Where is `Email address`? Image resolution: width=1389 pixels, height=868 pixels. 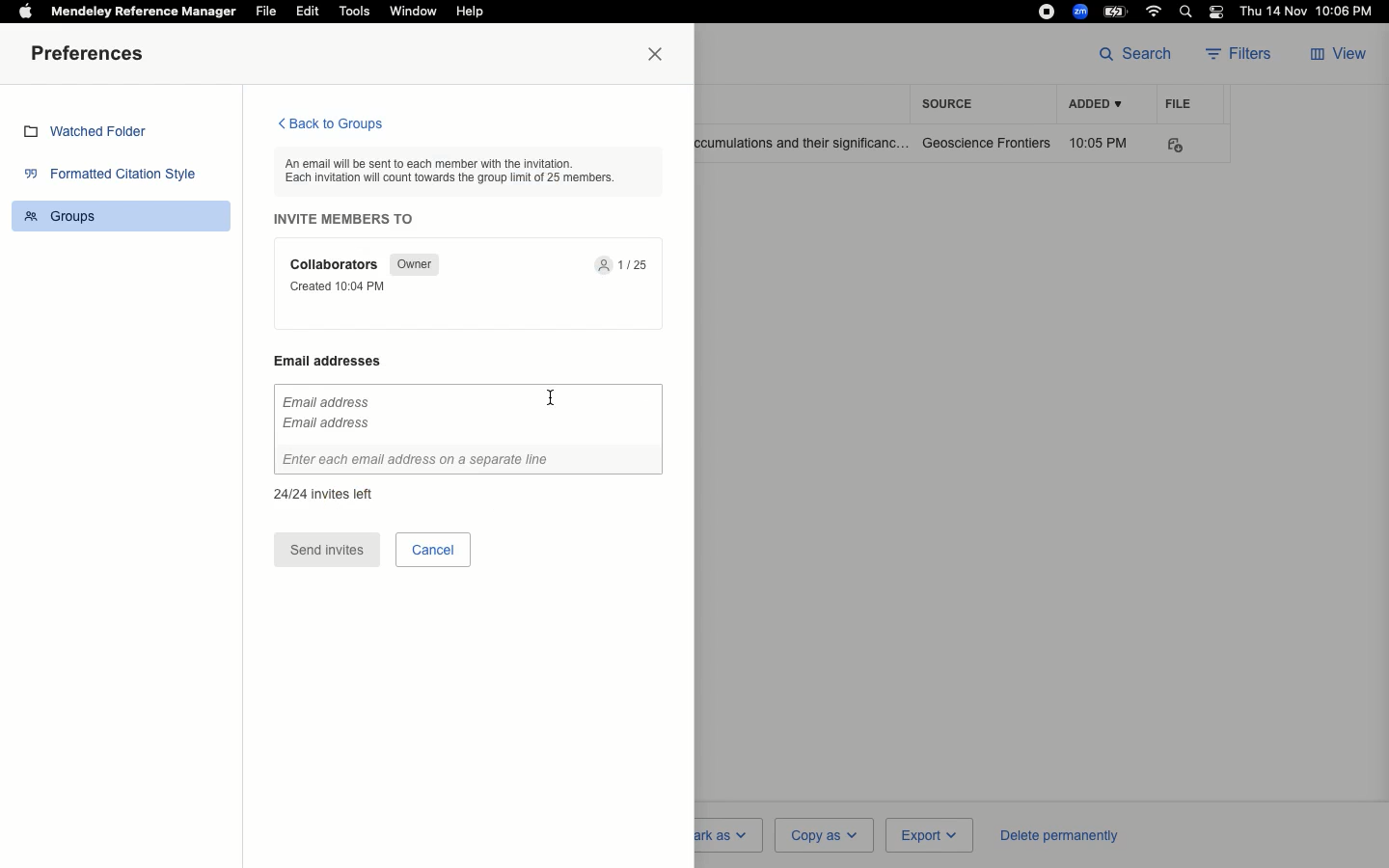
Email address is located at coordinates (338, 361).